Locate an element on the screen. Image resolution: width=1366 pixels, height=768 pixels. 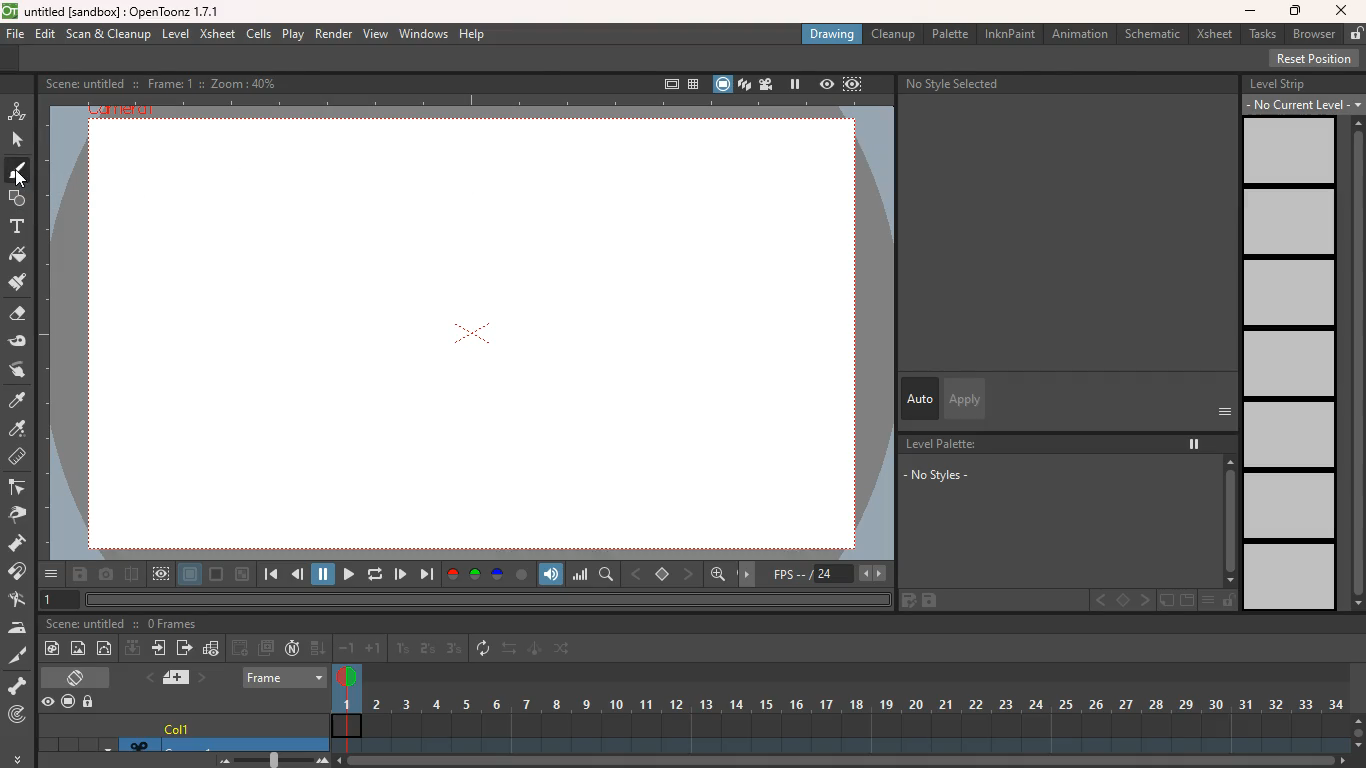
select is located at coordinates (19, 140).